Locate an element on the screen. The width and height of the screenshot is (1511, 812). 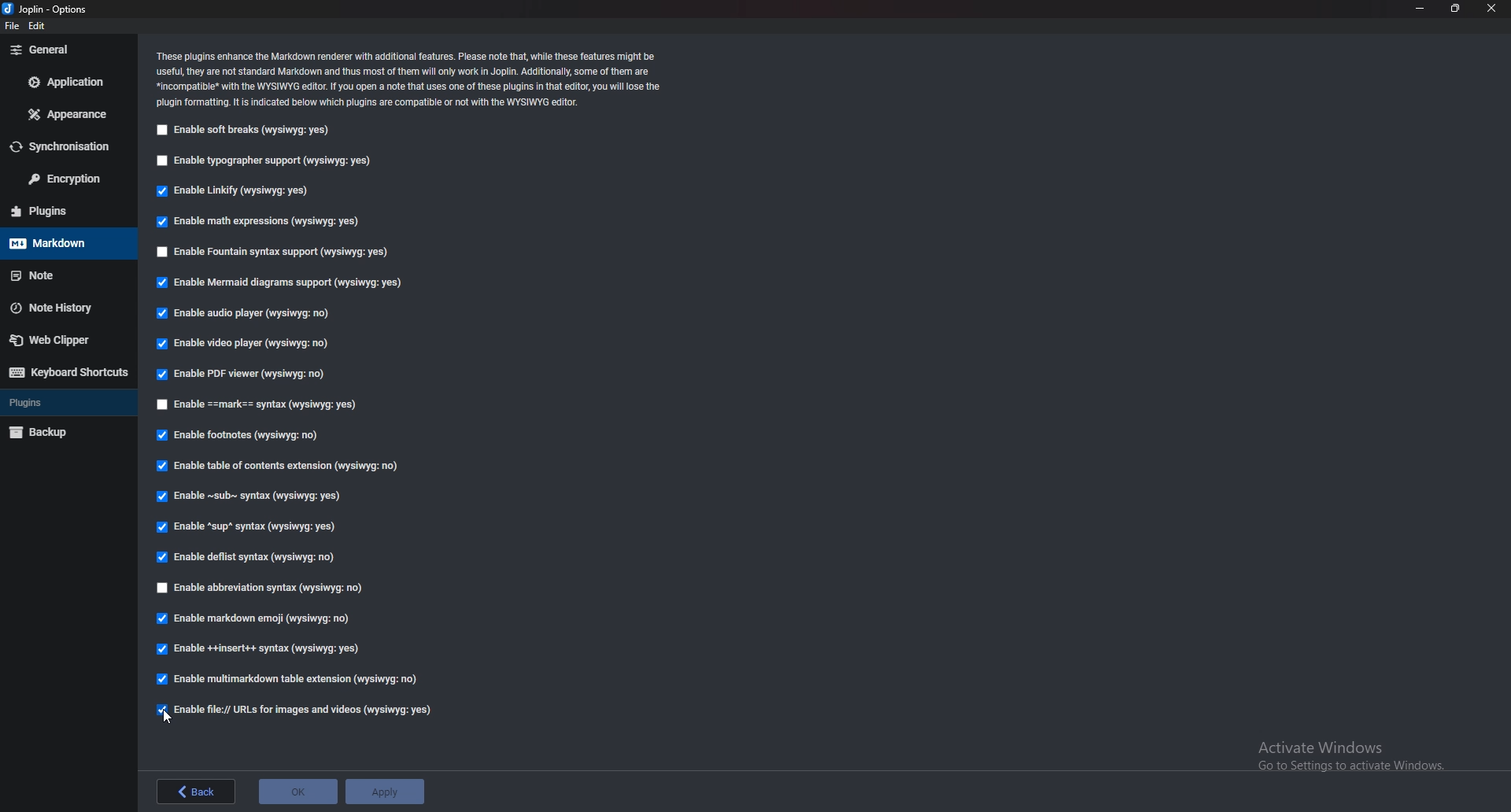
Enable soft breaks (wysiwyg:yes) is located at coordinates (248, 131).